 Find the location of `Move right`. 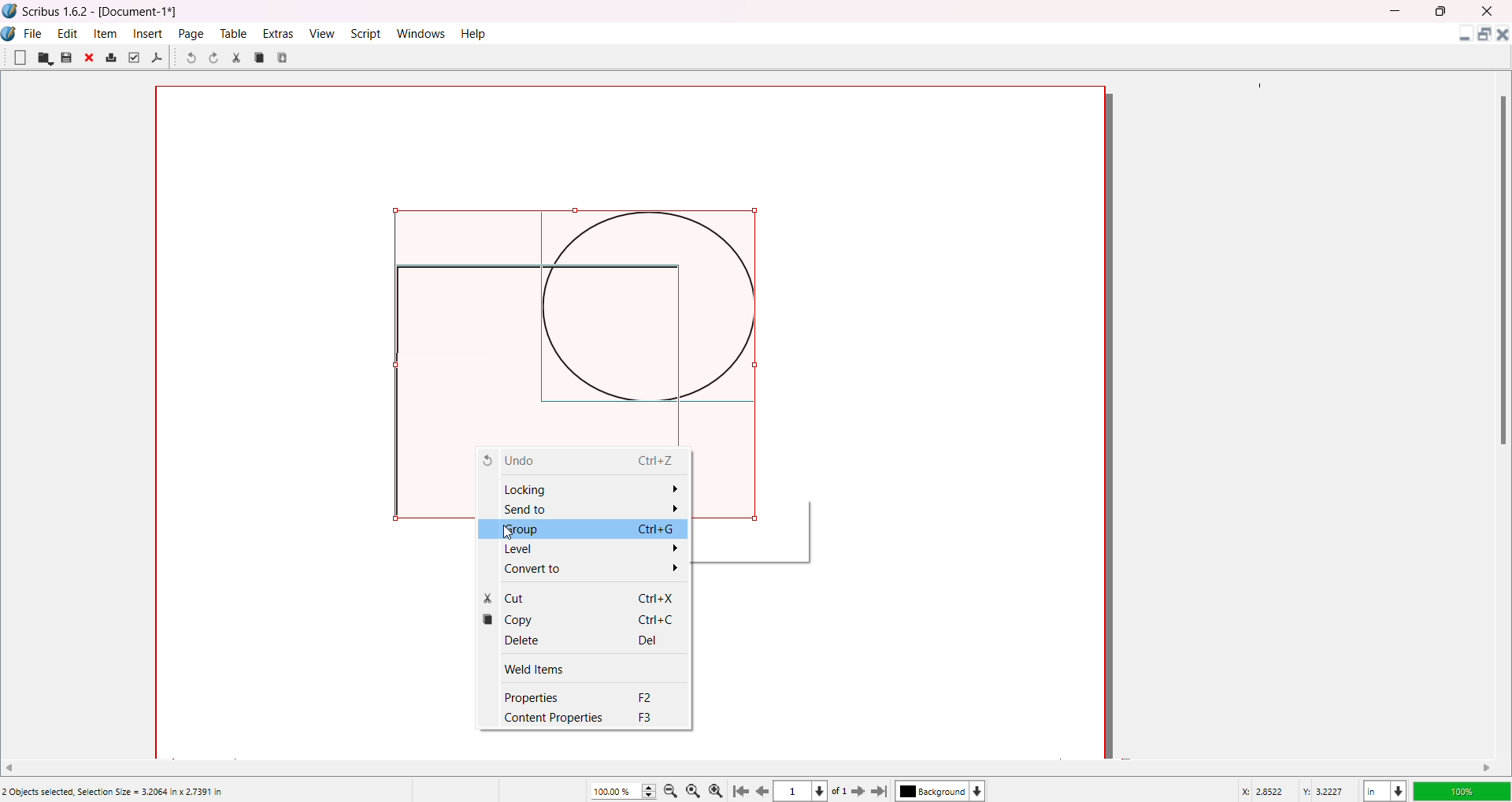

Move right is located at coordinates (1488, 767).